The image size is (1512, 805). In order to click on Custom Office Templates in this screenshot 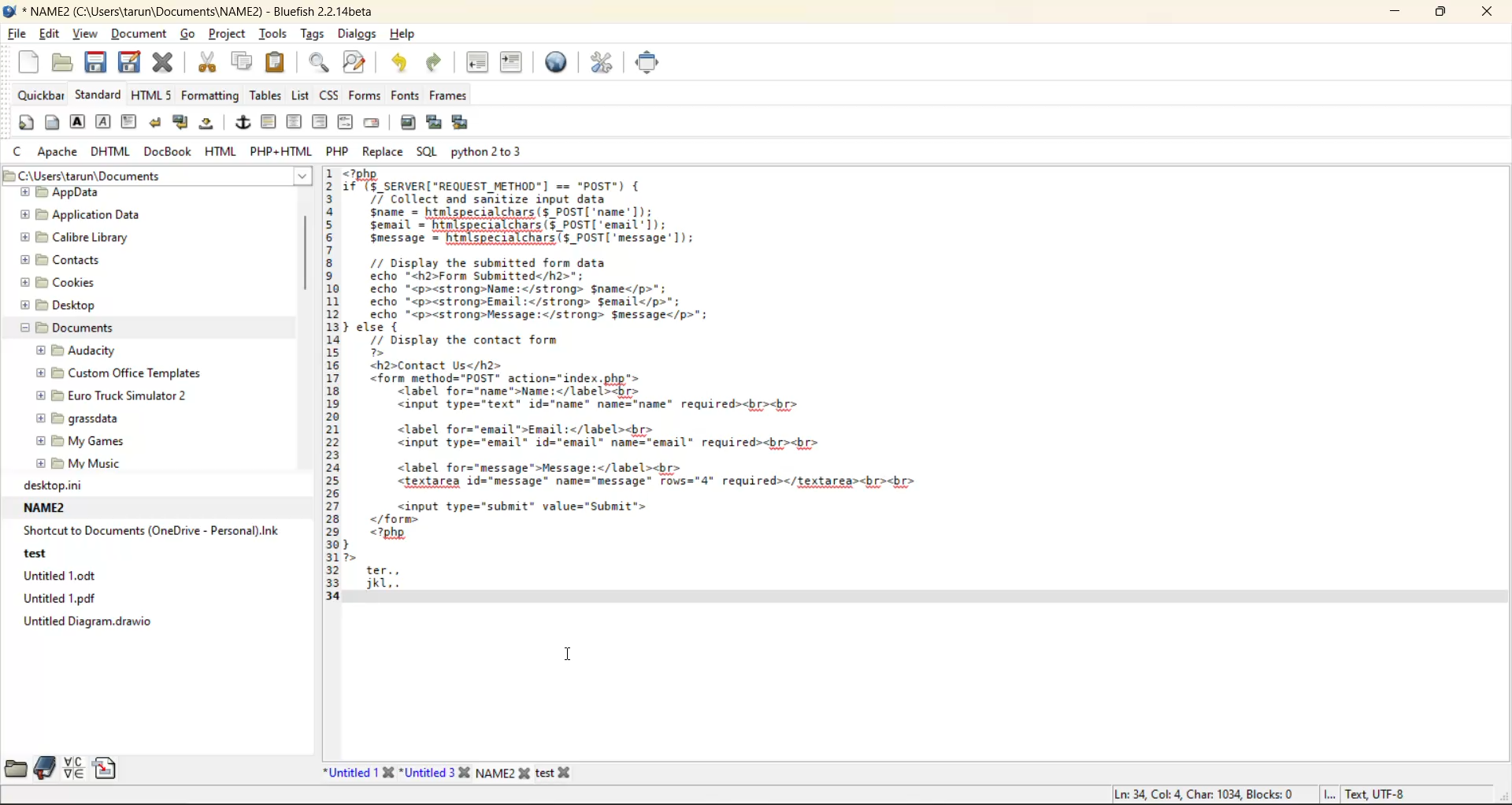, I will do `click(113, 374)`.